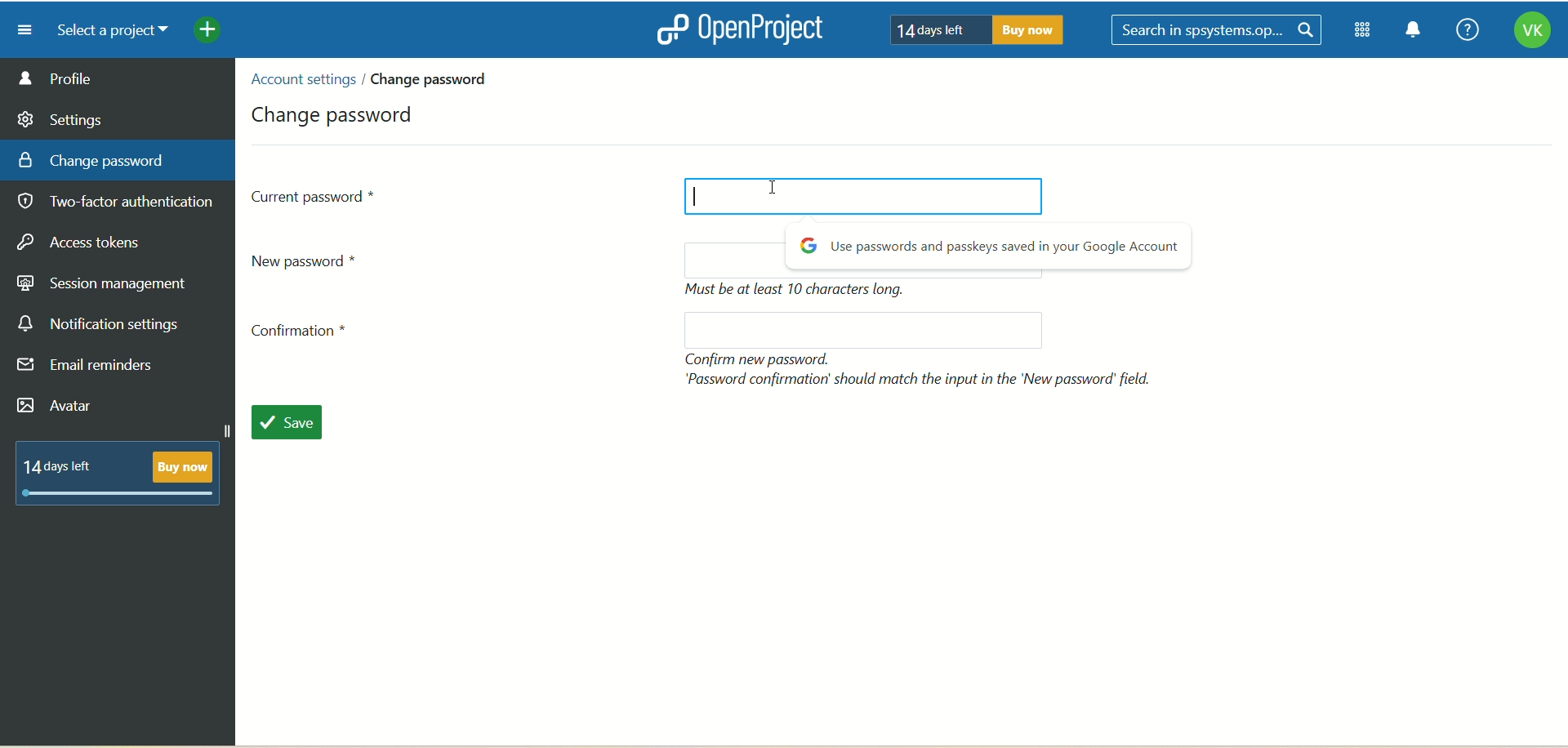 This screenshot has width=1568, height=748. Describe the element at coordinates (118, 78) in the screenshot. I see `profile` at that location.